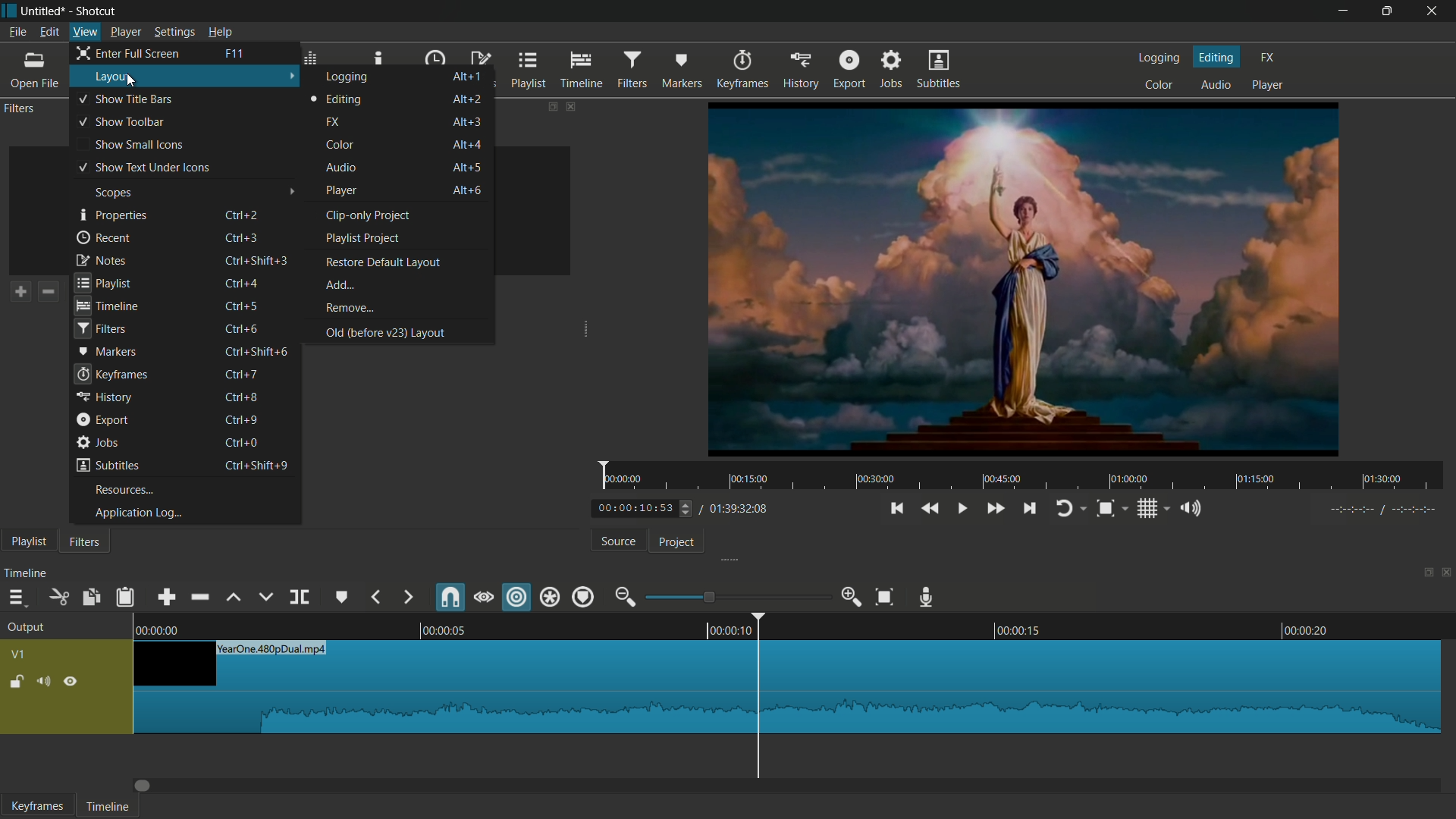  I want to click on ripple, so click(517, 598).